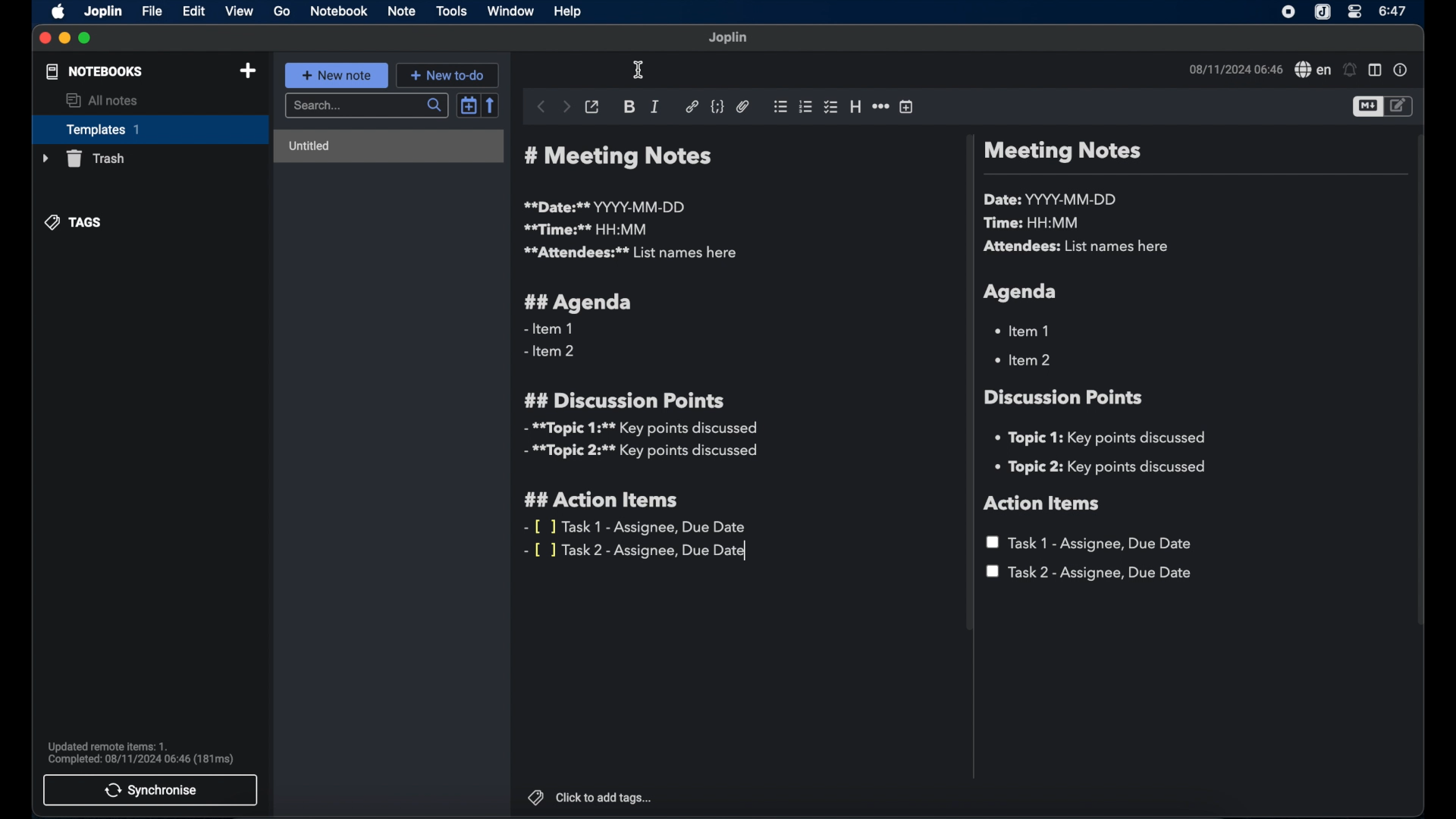  I want to click on templates 1, so click(148, 129).